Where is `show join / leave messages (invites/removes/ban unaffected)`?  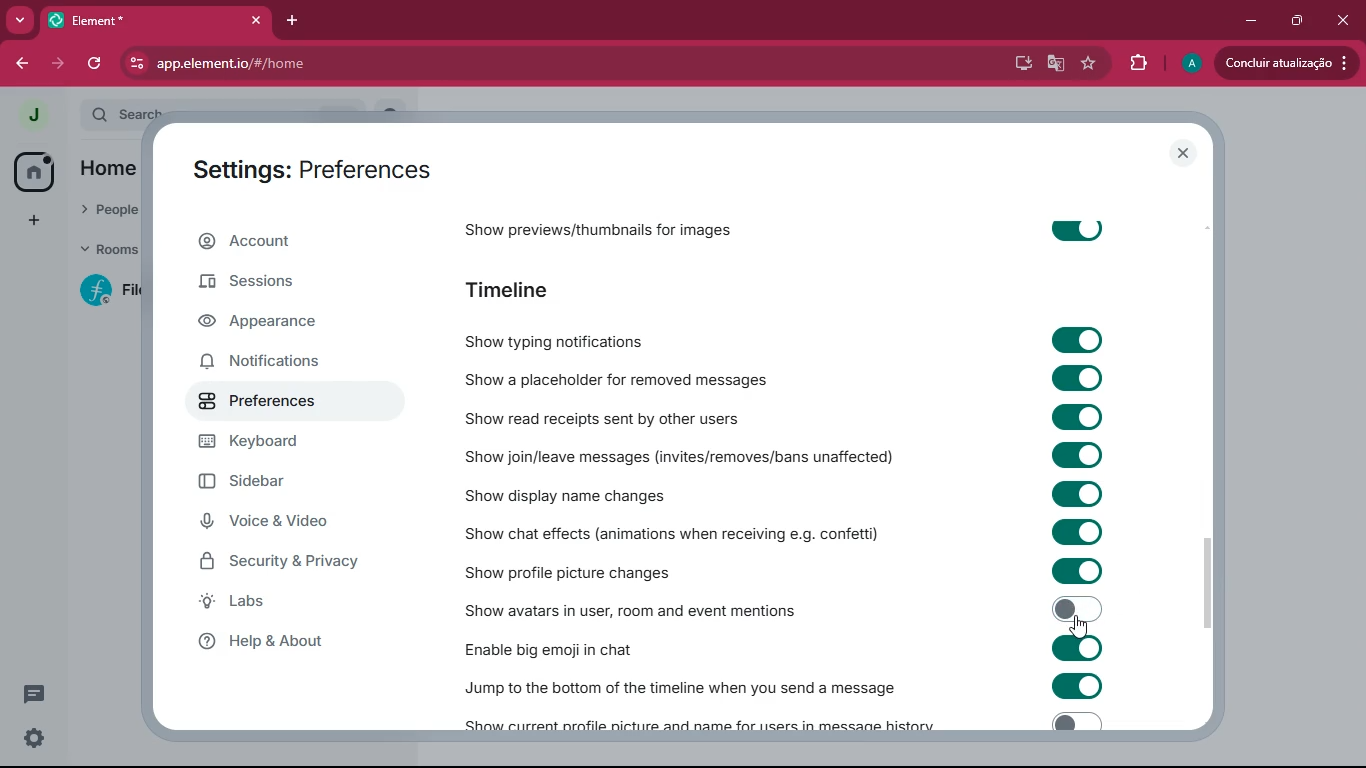 show join / leave messages (invites/removes/ban unaffected) is located at coordinates (686, 456).